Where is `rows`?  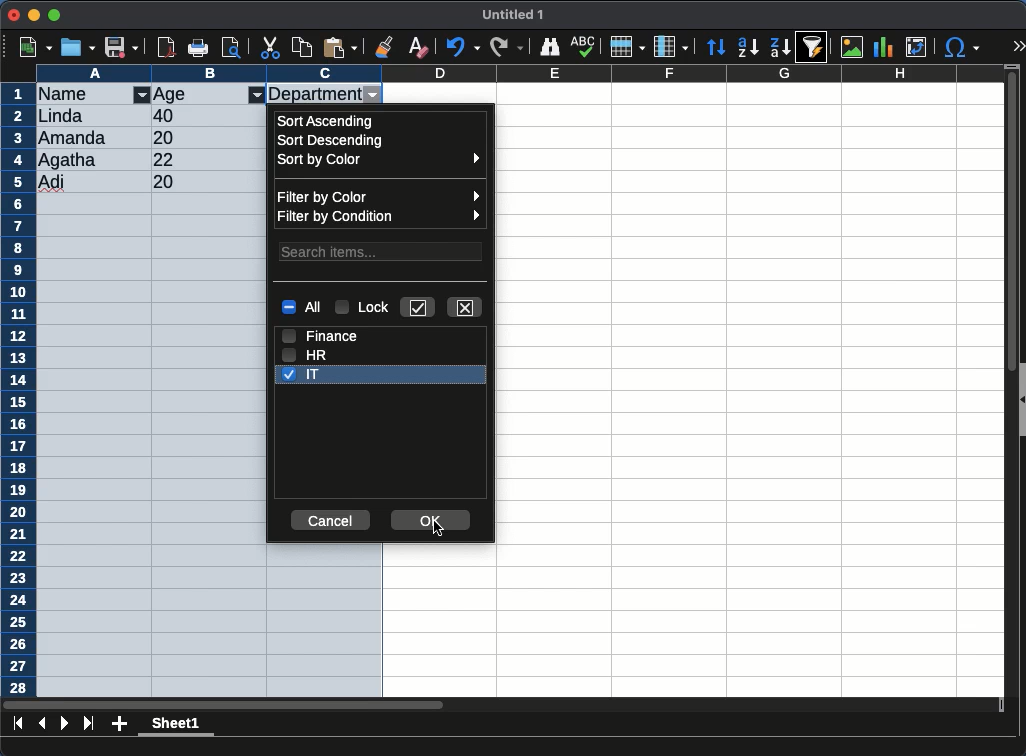 rows is located at coordinates (18, 390).